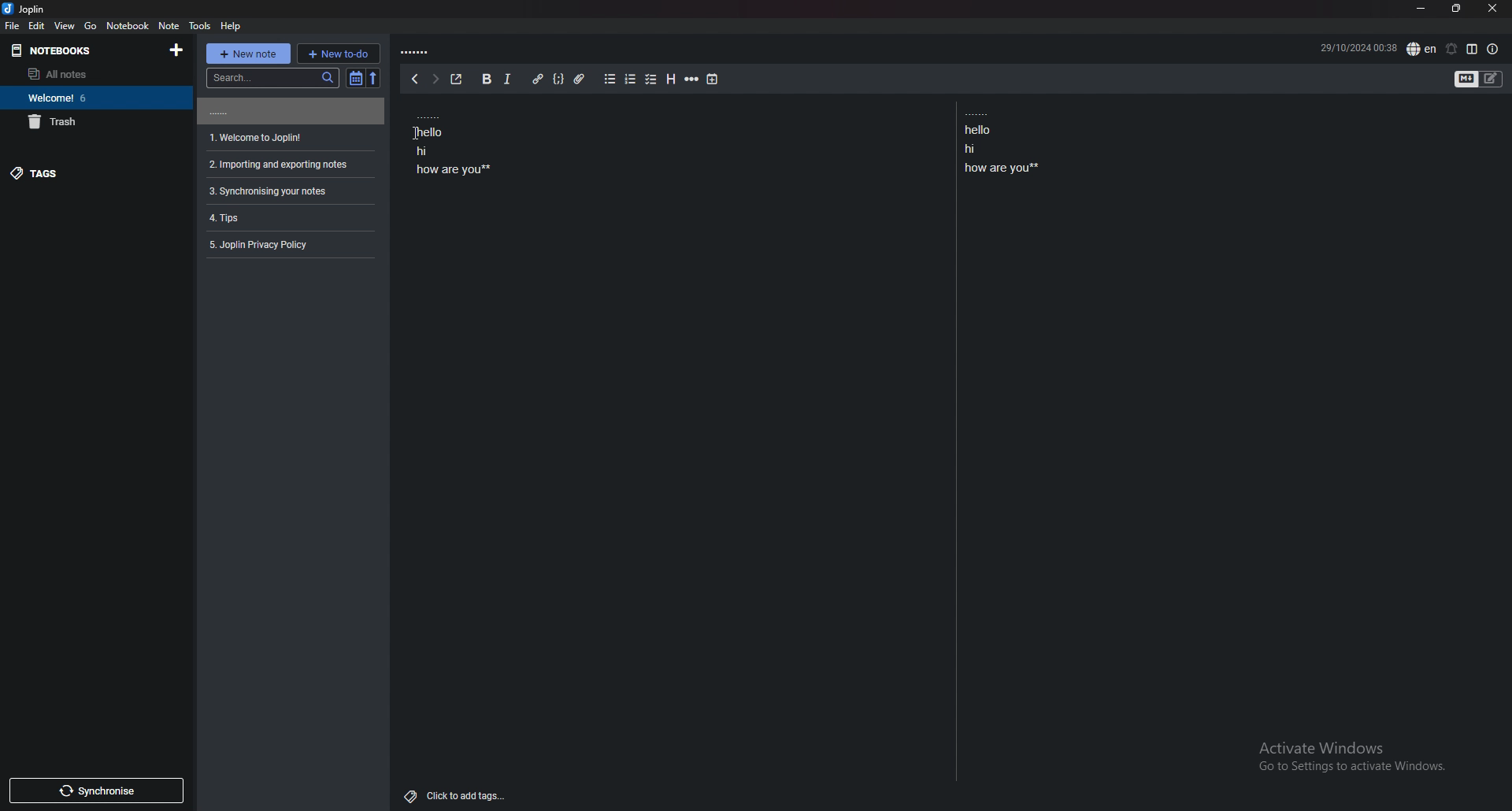 This screenshot has height=811, width=1512. What do you see at coordinates (288, 138) in the screenshot?
I see `note` at bounding box center [288, 138].